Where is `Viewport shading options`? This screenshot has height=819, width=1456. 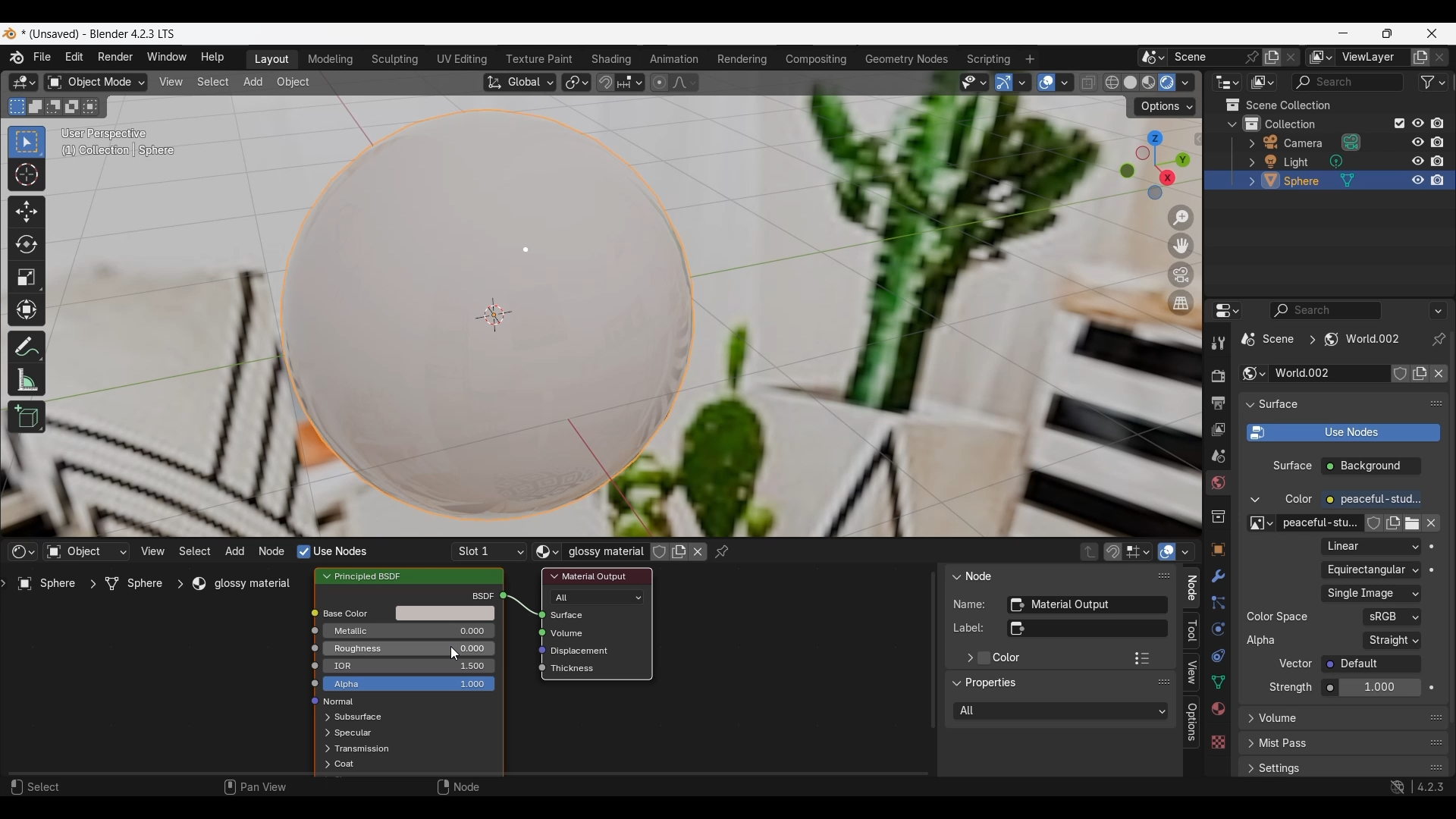 Viewport shading options is located at coordinates (1185, 83).